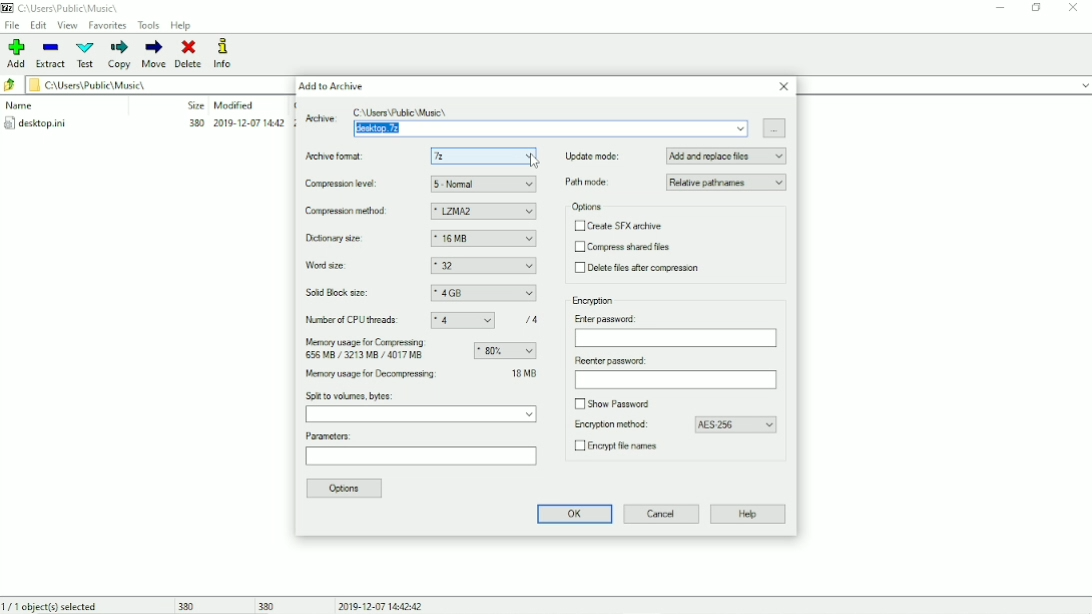 This screenshot has height=614, width=1092. I want to click on Favorites, so click(107, 26).